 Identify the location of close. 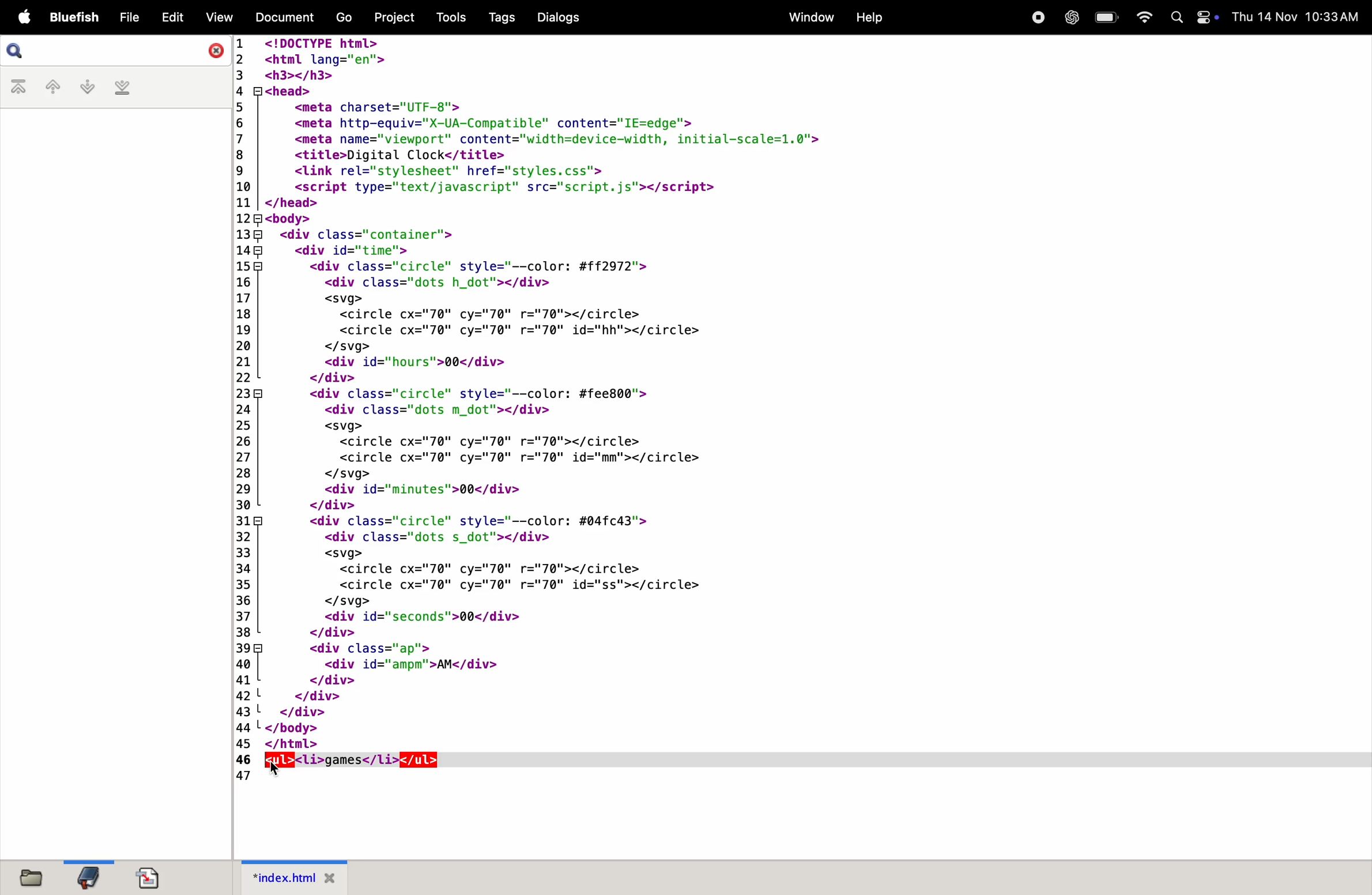
(212, 52).